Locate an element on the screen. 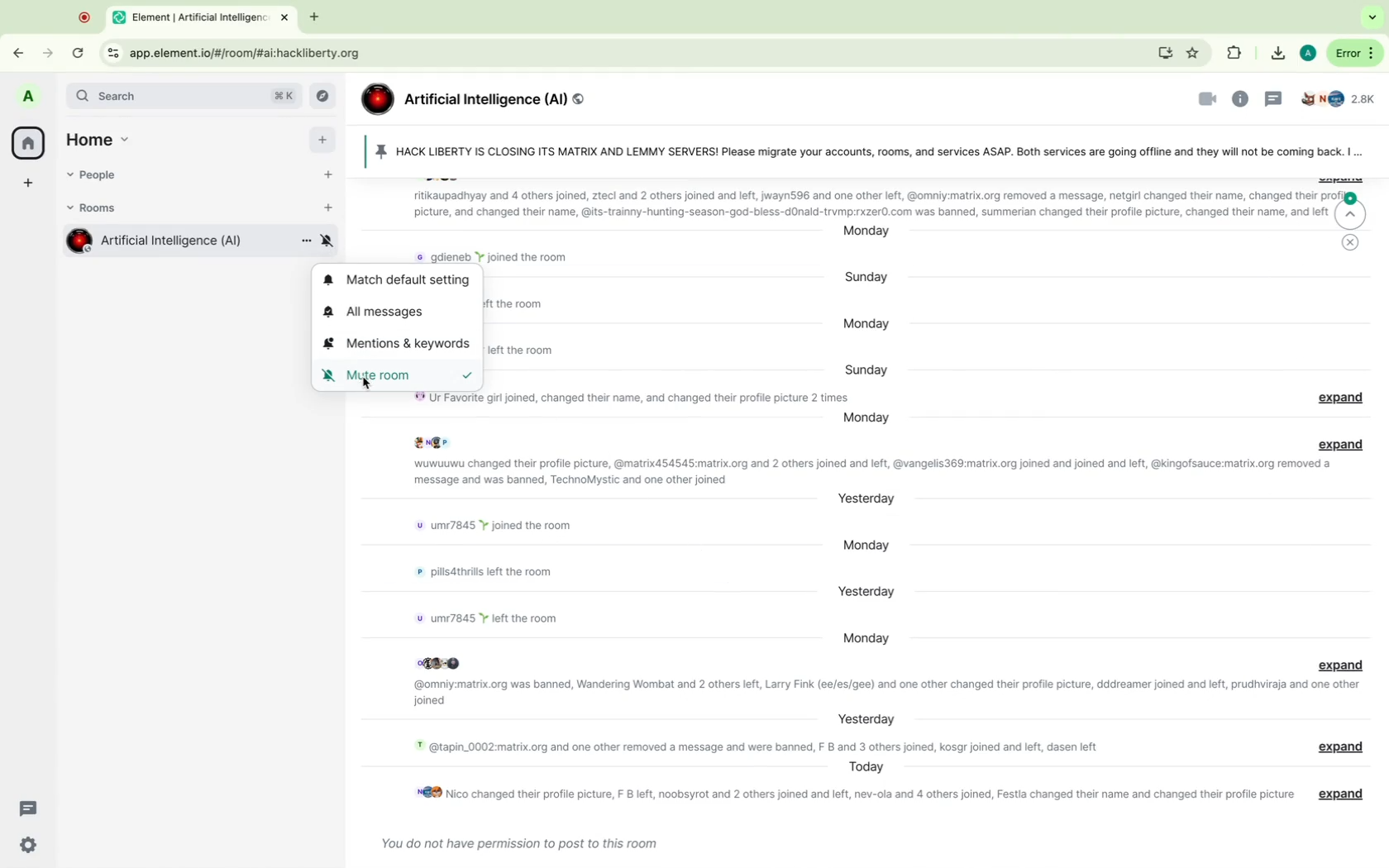 Image resolution: width=1389 pixels, height=868 pixels. day is located at coordinates (868, 498).